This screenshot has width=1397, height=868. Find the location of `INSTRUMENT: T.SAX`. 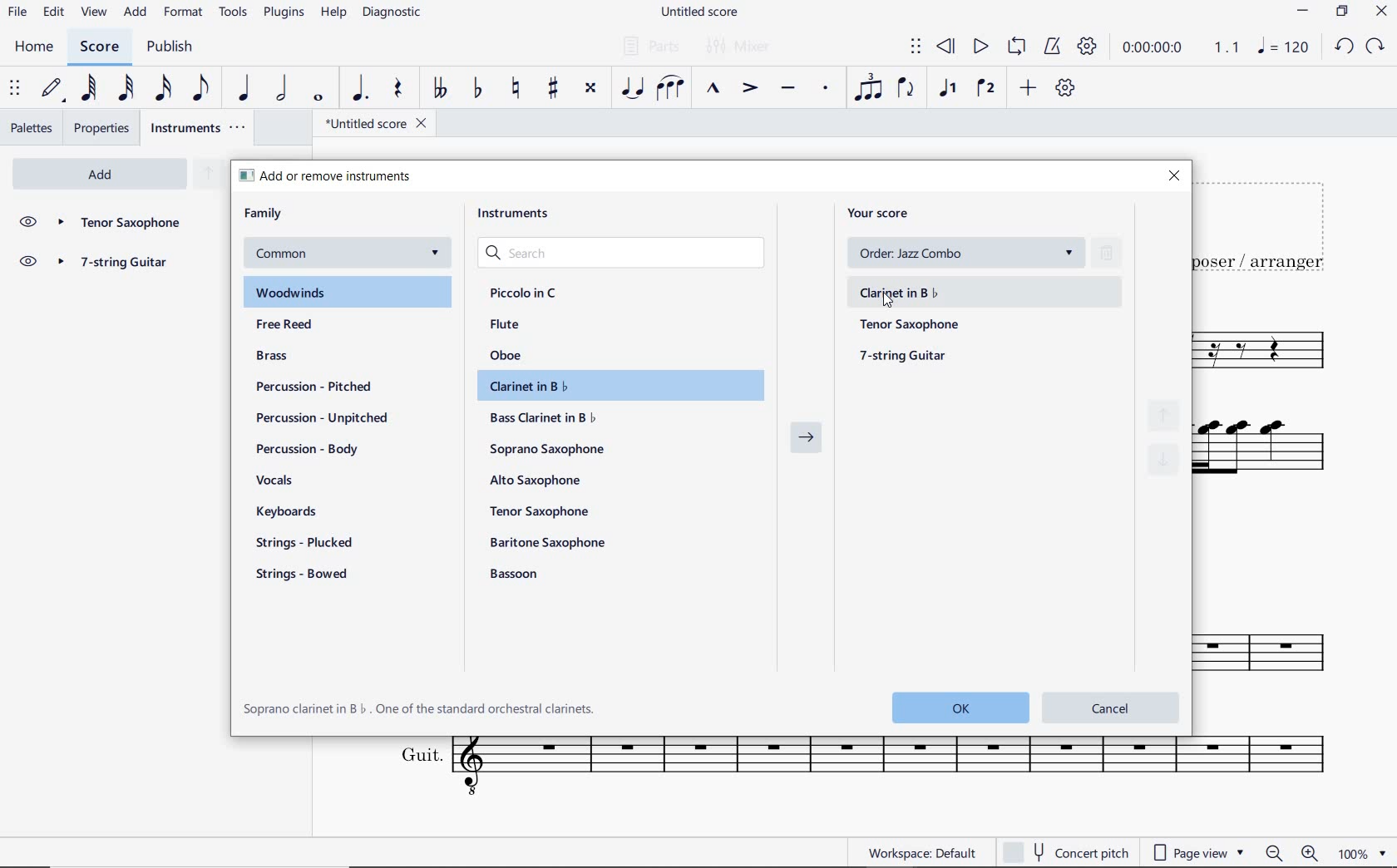

INSTRUMENT: T.SAX is located at coordinates (1273, 640).